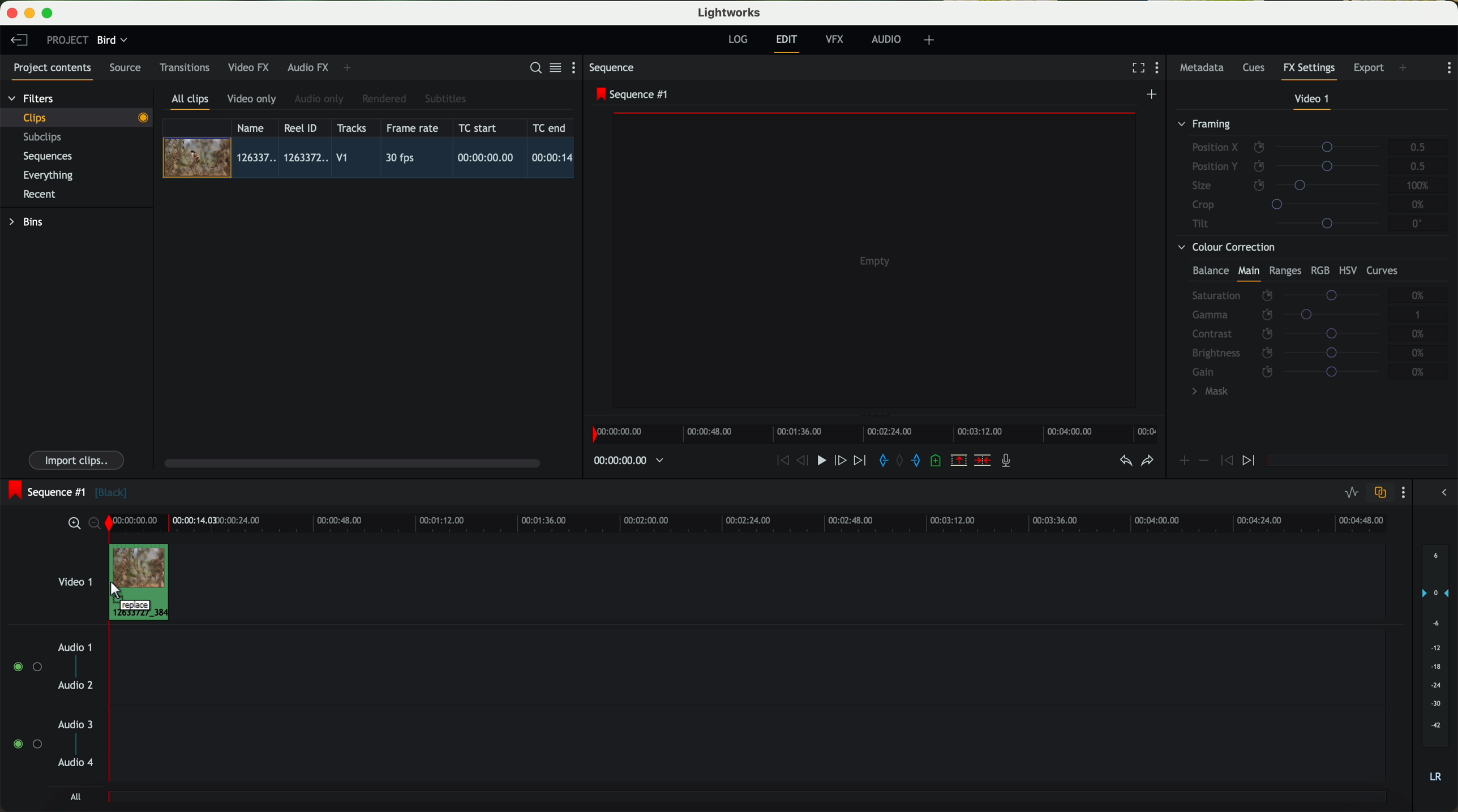  What do you see at coordinates (112, 41) in the screenshot?
I see `bird` at bounding box center [112, 41].